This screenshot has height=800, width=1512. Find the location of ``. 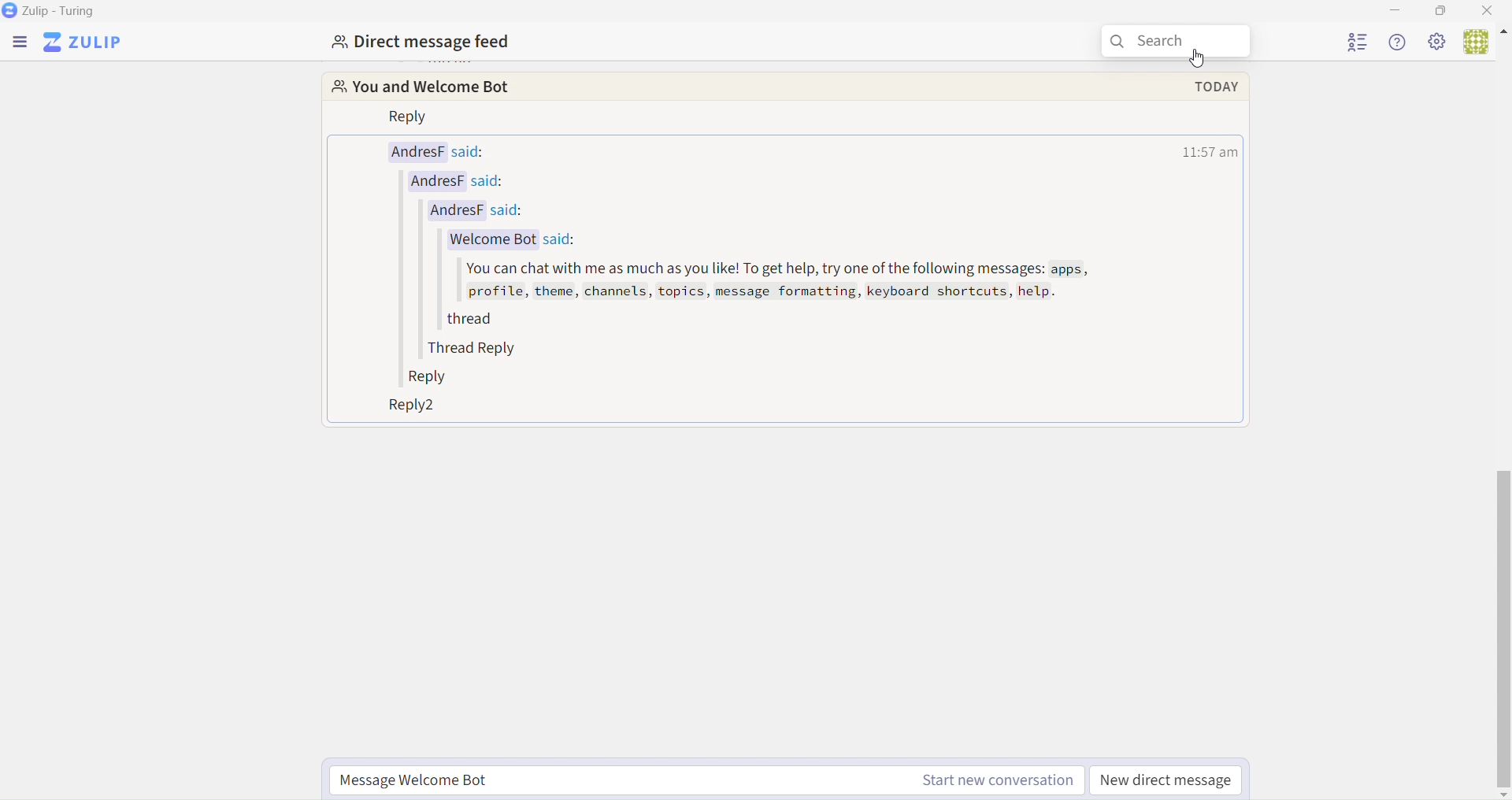

 is located at coordinates (1390, 10).